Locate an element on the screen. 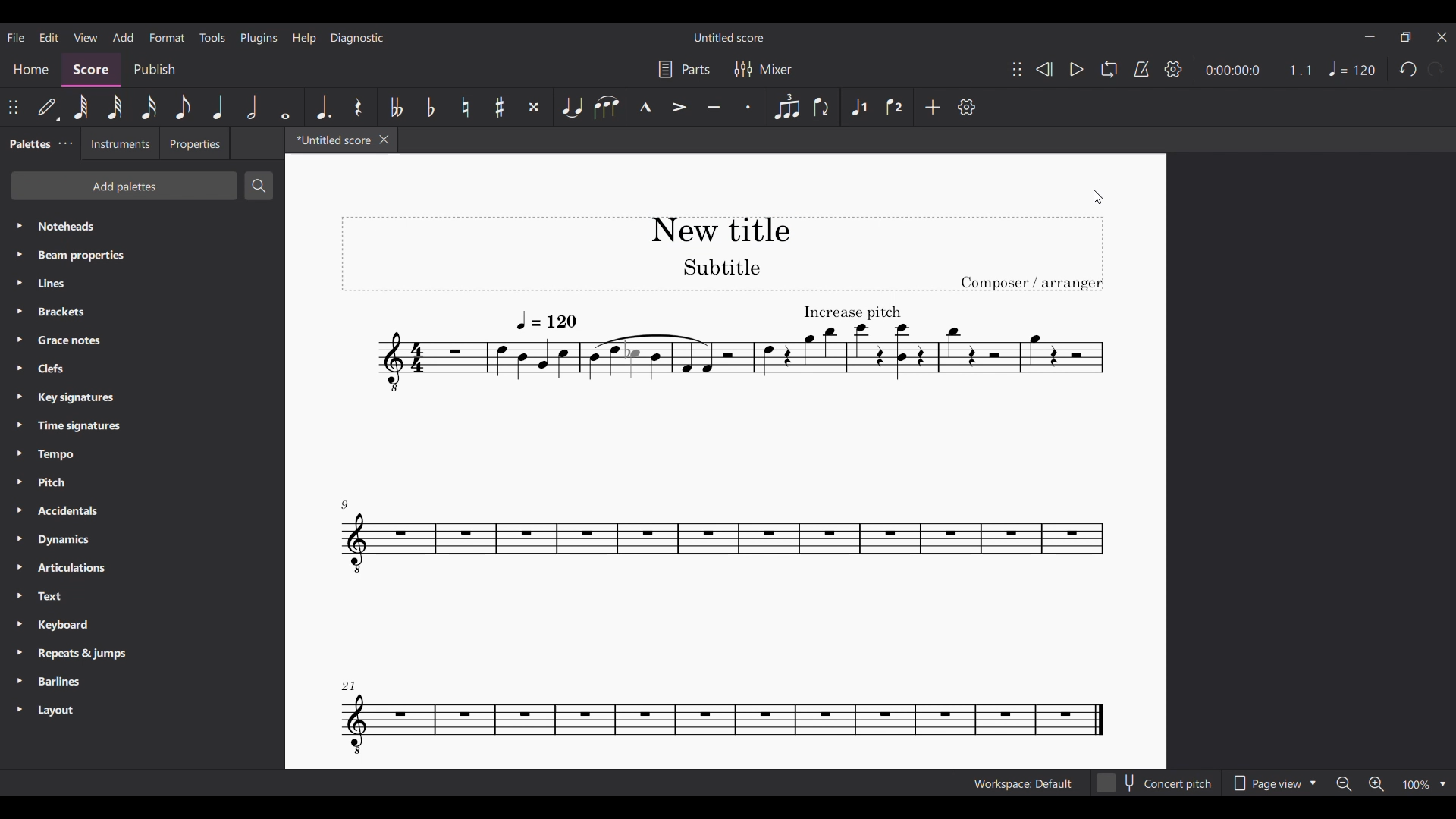 Image resolution: width=1456 pixels, height=819 pixels. Articulations is located at coordinates (143, 568).